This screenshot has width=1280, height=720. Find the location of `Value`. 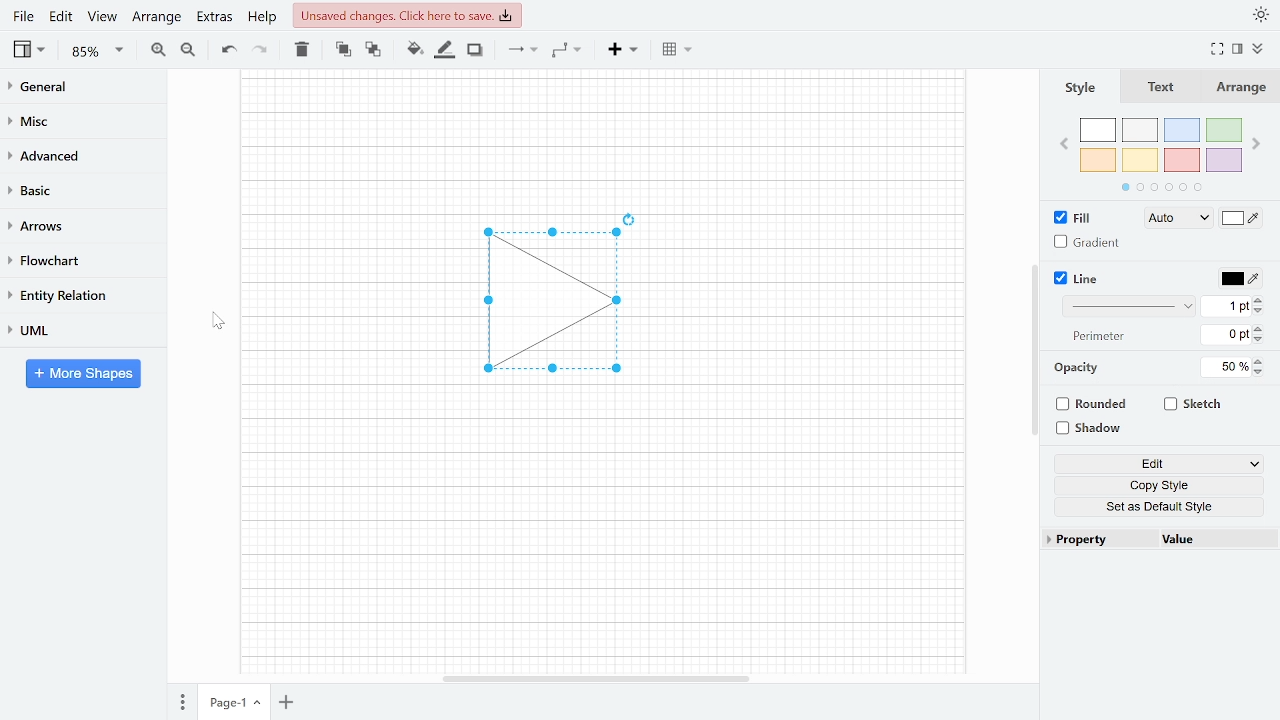

Value is located at coordinates (1213, 541).